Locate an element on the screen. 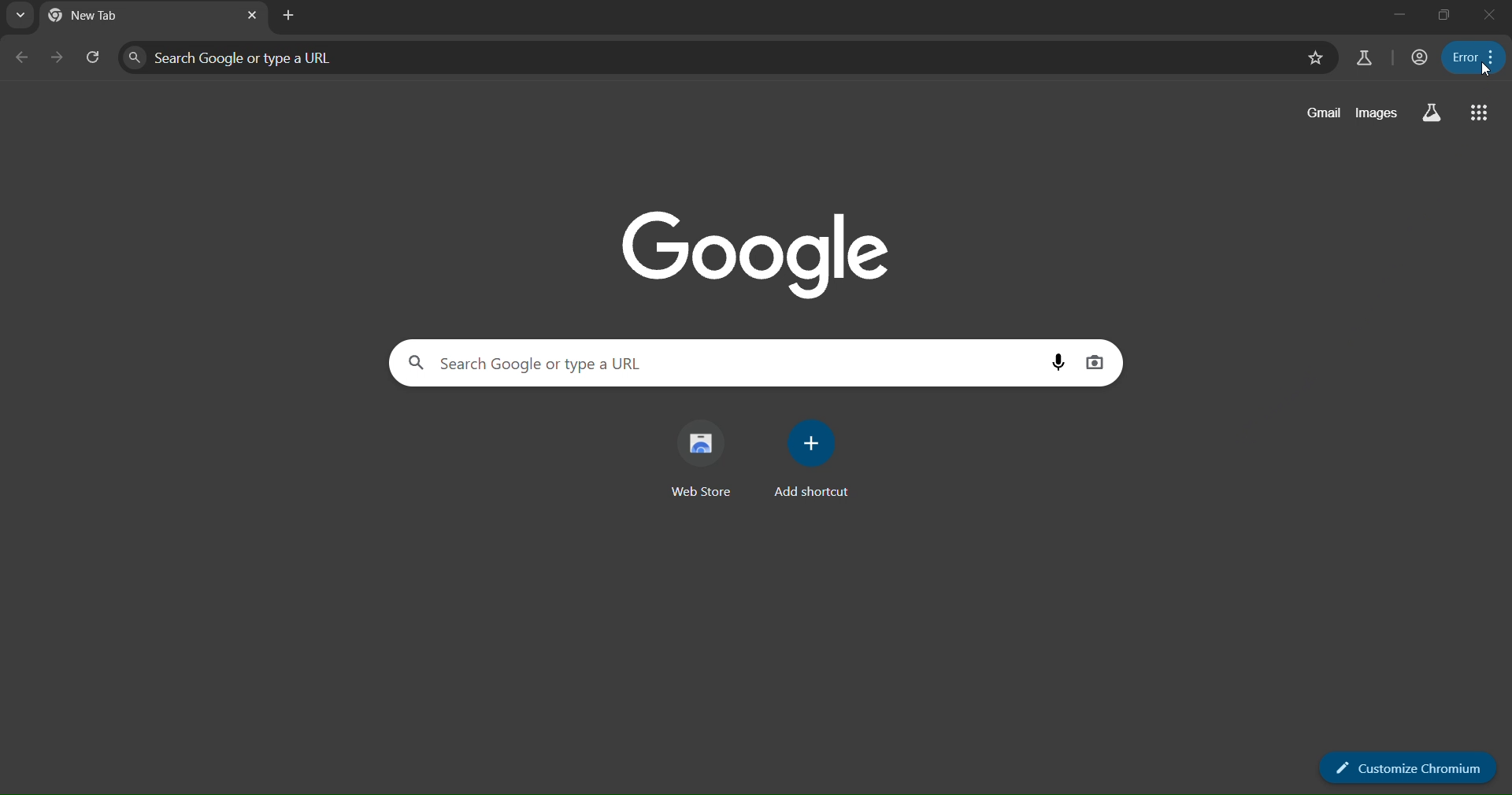 This screenshot has height=795, width=1512. Search Google or type a URL is located at coordinates (524, 361).